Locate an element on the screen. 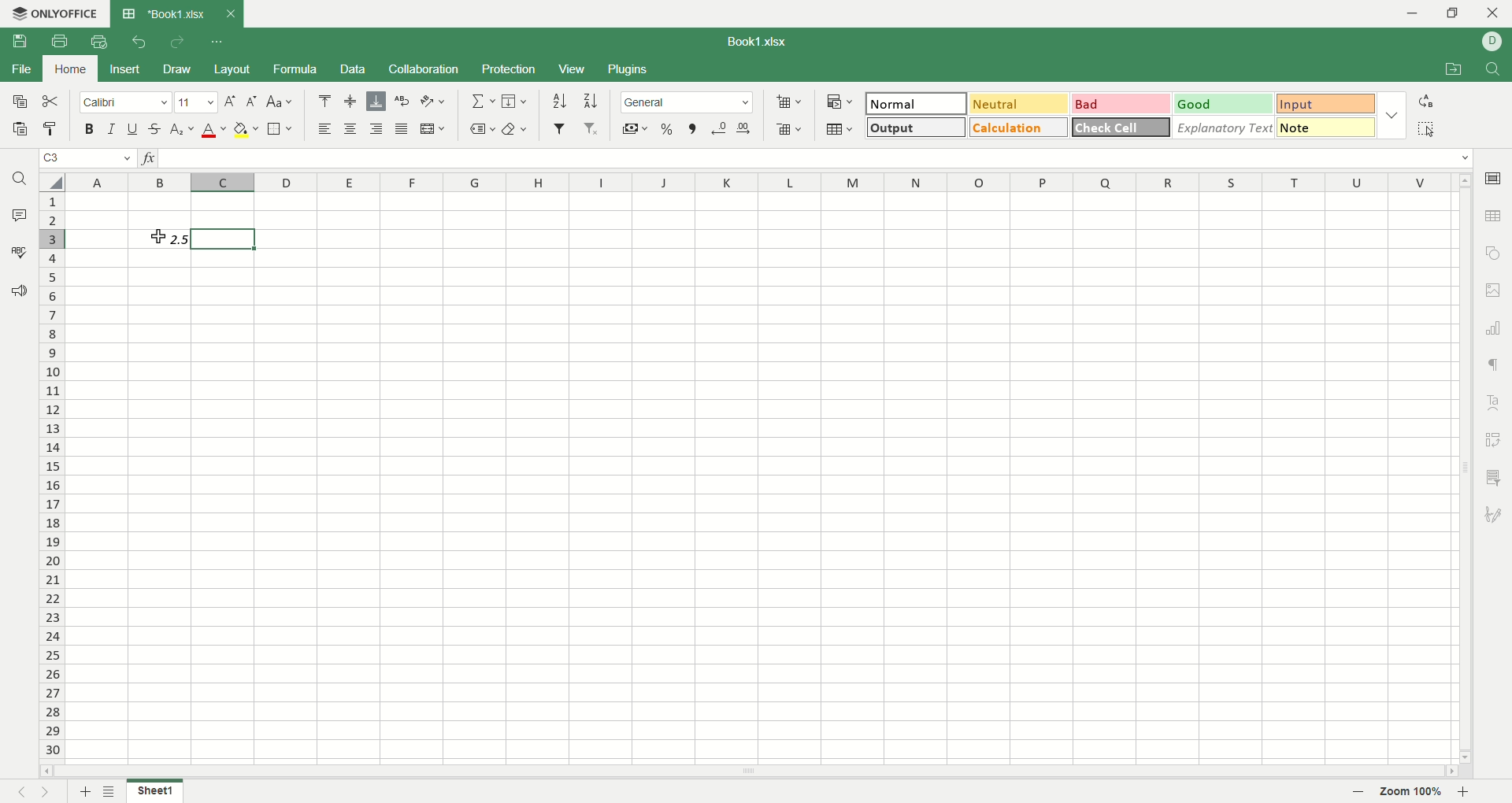 The height and width of the screenshot is (803, 1512). sort ascending is located at coordinates (561, 101).